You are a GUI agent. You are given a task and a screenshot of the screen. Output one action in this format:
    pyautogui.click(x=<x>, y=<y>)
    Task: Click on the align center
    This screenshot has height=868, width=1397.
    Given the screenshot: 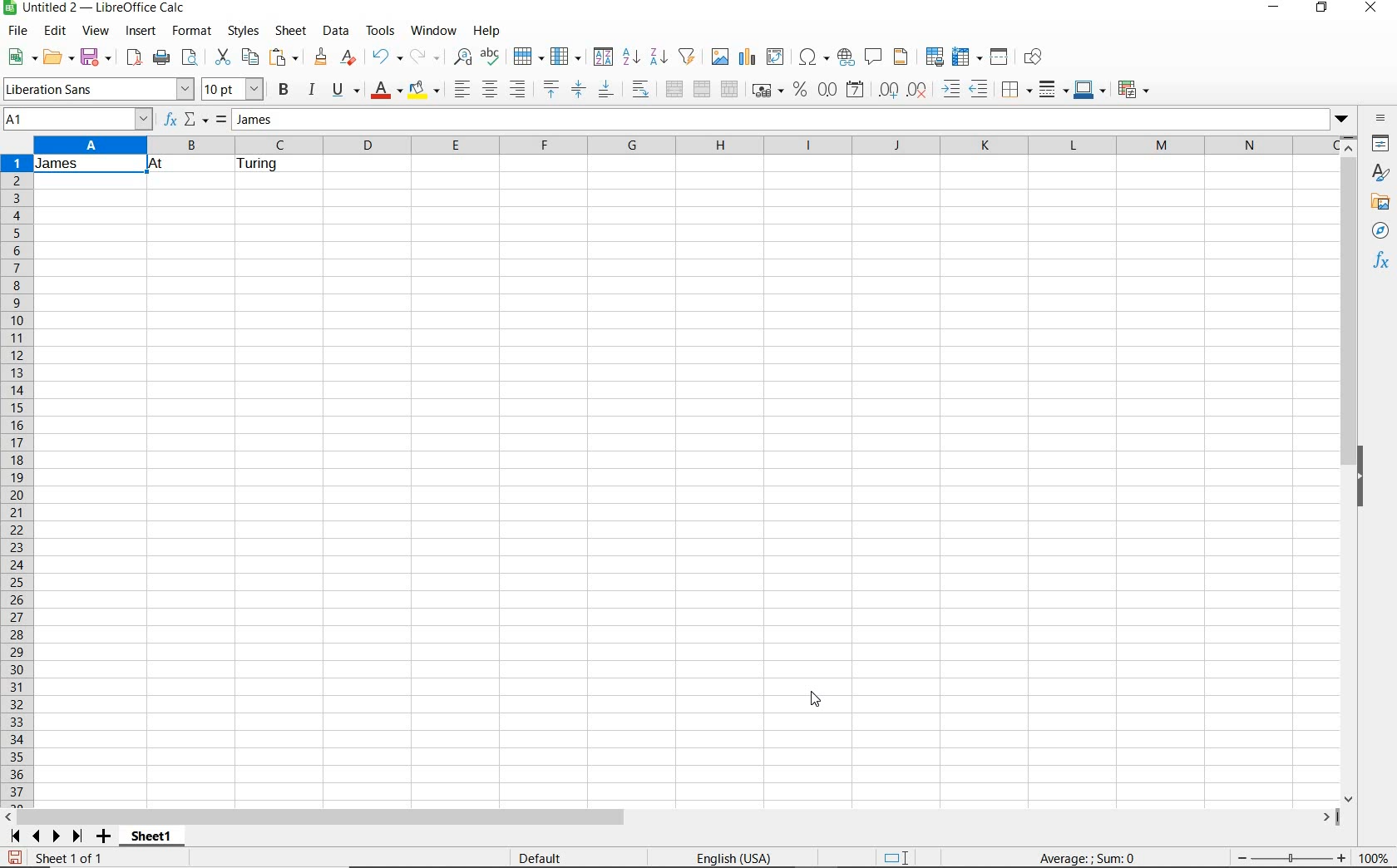 What is the action you would take?
    pyautogui.click(x=489, y=89)
    